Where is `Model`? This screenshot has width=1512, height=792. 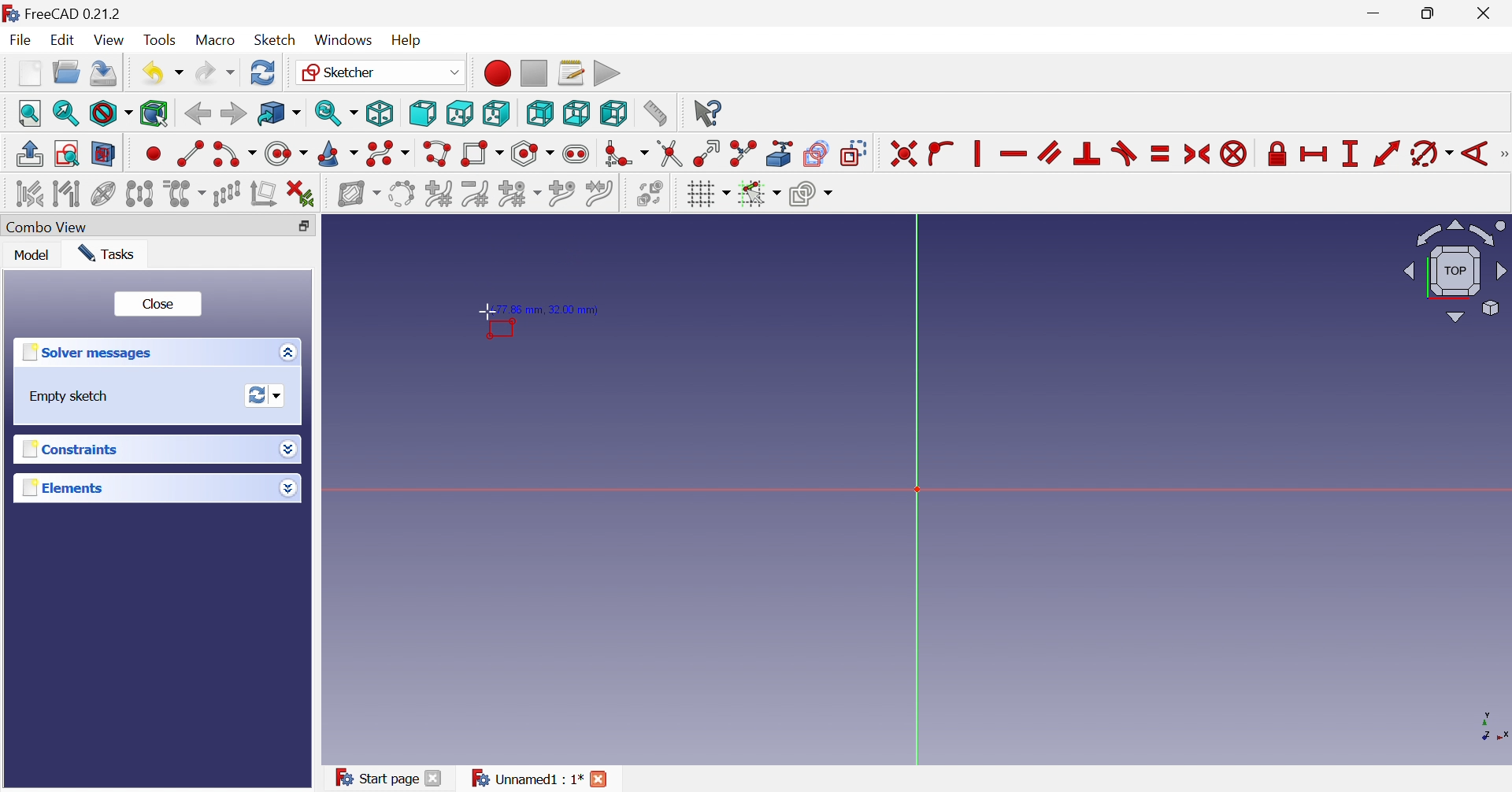
Model is located at coordinates (32, 257).